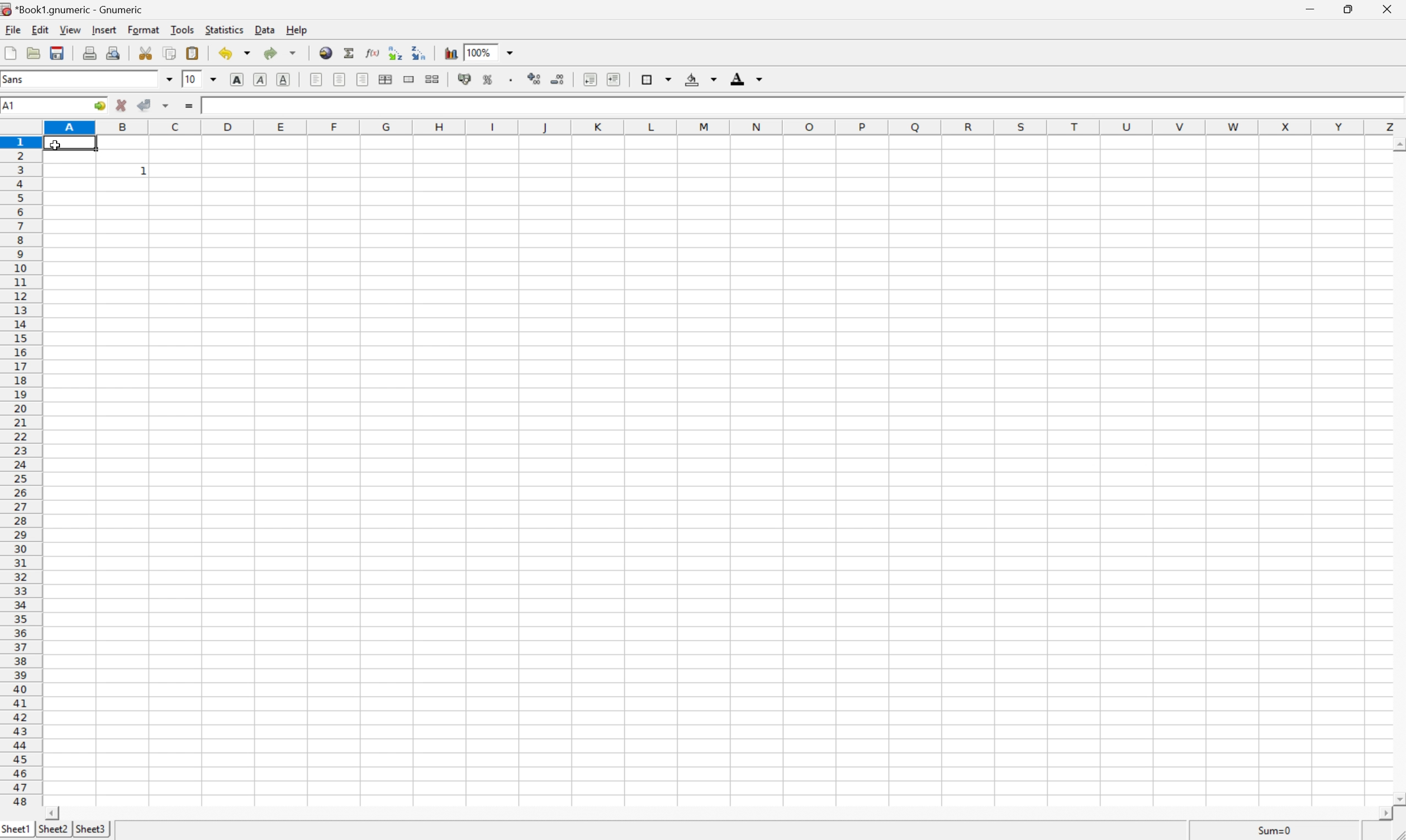 The width and height of the screenshot is (1406, 840). I want to click on view, so click(69, 31).